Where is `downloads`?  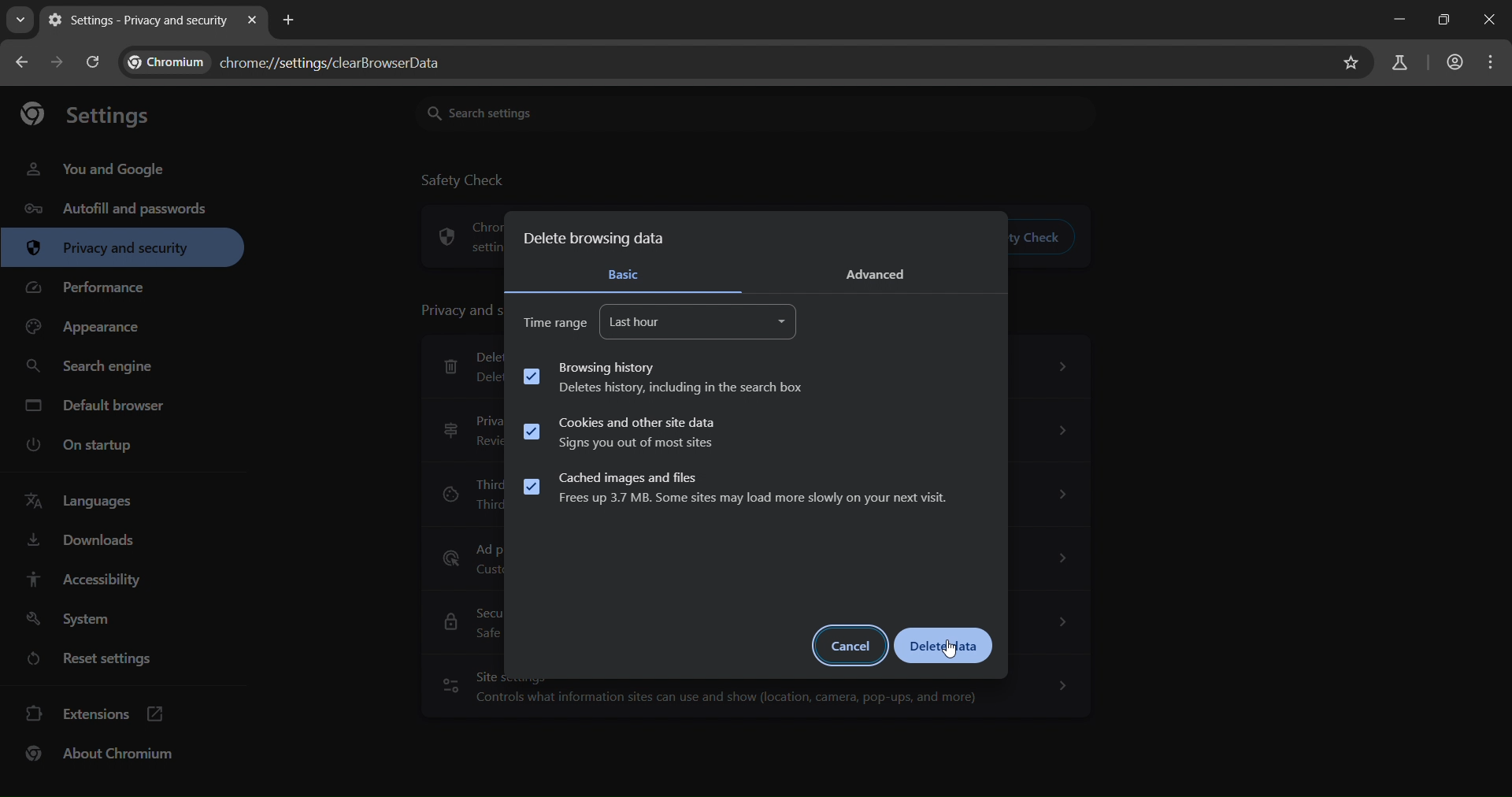
downloads is located at coordinates (88, 541).